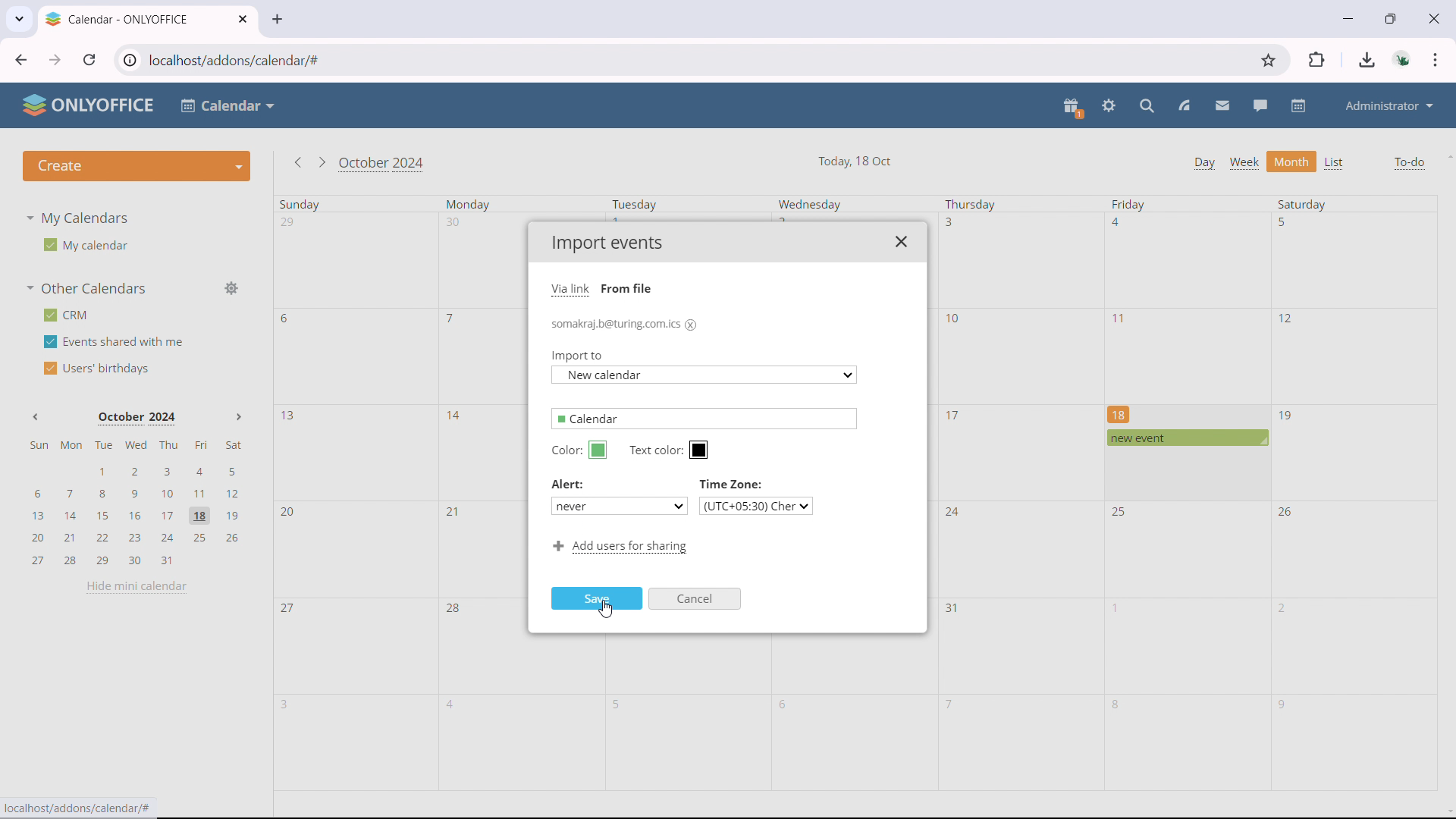 The width and height of the screenshot is (1456, 819). What do you see at coordinates (1447, 155) in the screenshot?
I see `scroll up` at bounding box center [1447, 155].